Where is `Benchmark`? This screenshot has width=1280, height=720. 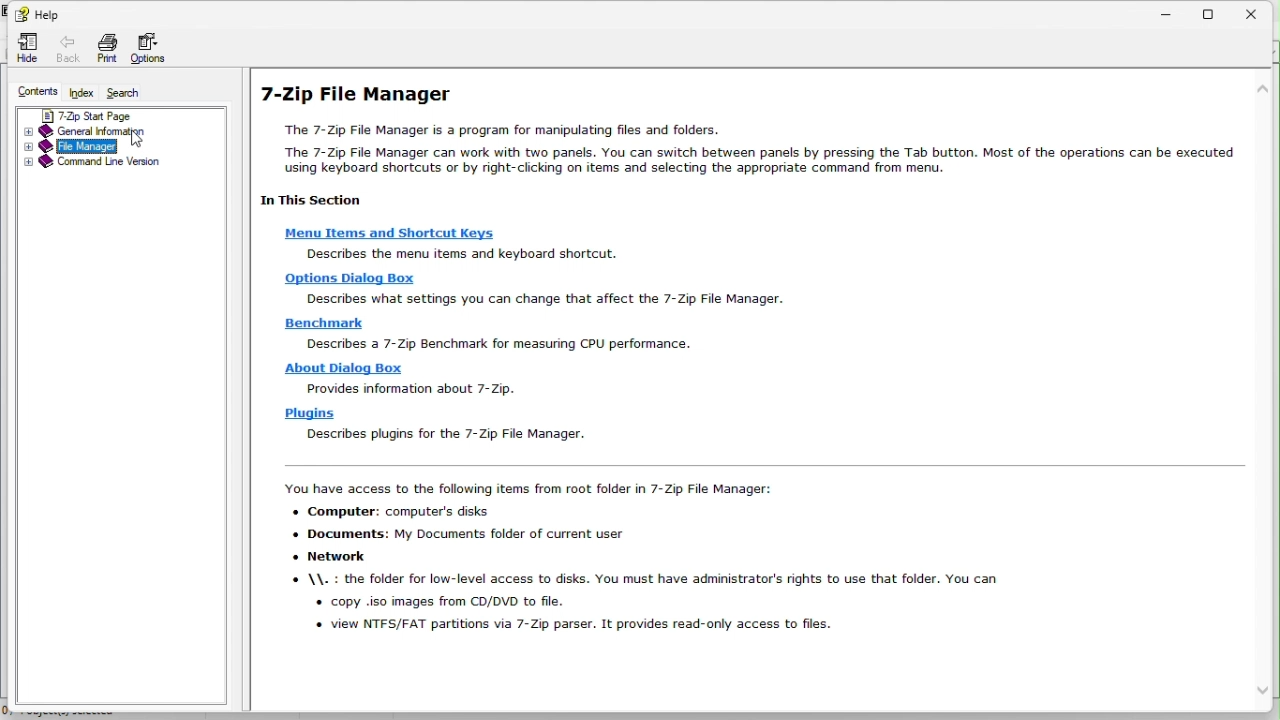 Benchmark is located at coordinates (319, 323).